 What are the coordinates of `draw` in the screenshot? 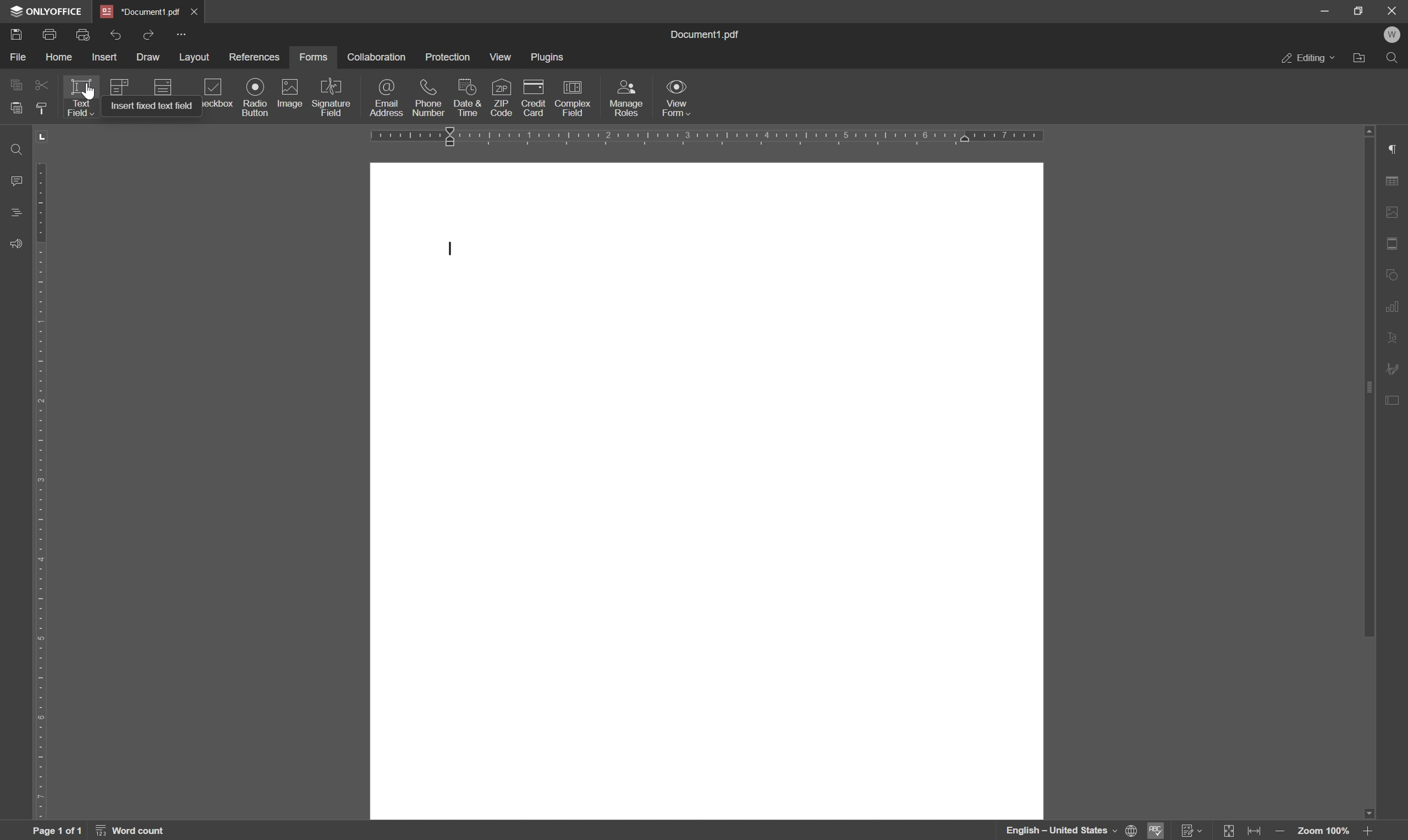 It's located at (149, 59).